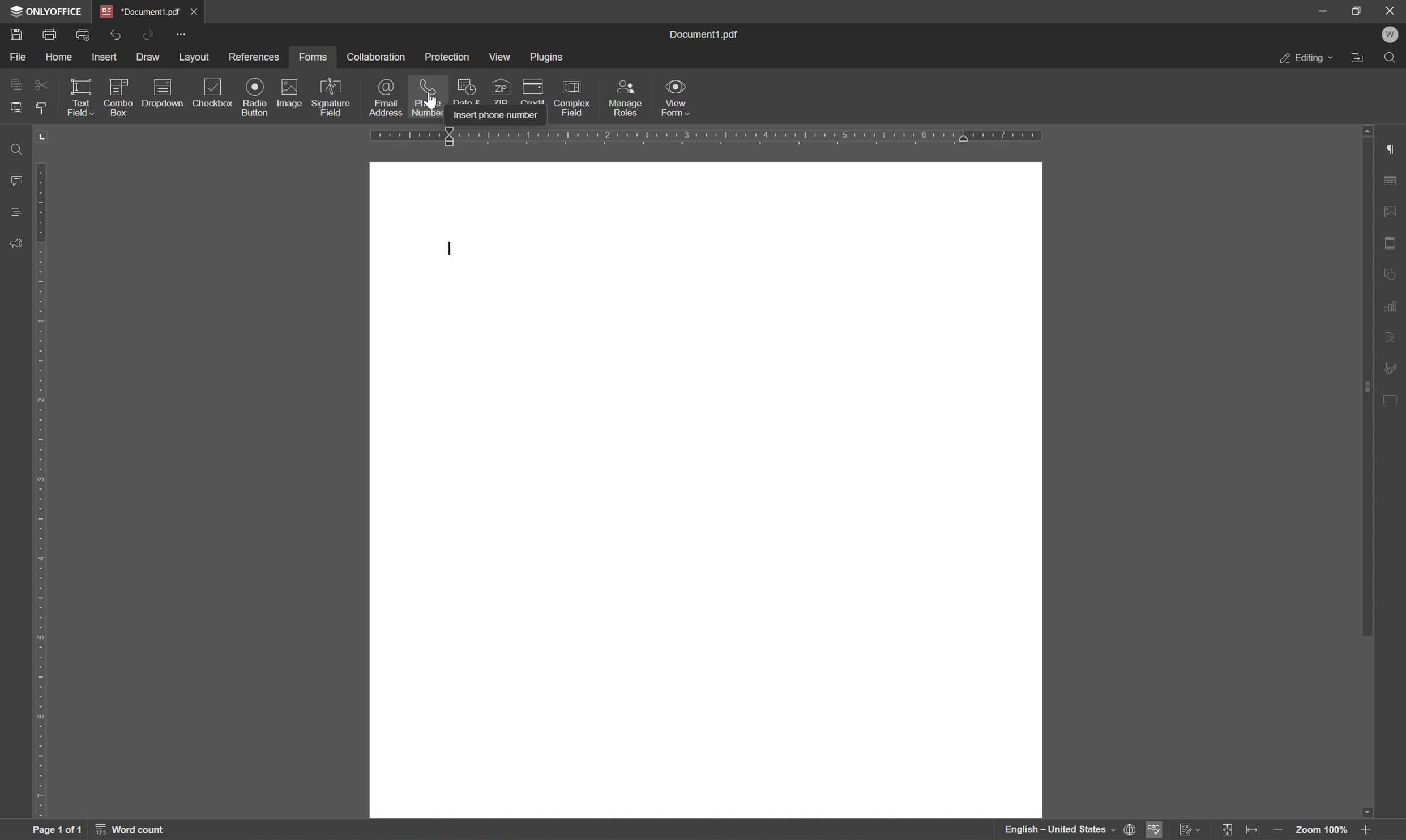 The height and width of the screenshot is (840, 1406). What do you see at coordinates (137, 10) in the screenshot?
I see `document1.pdf` at bounding box center [137, 10].